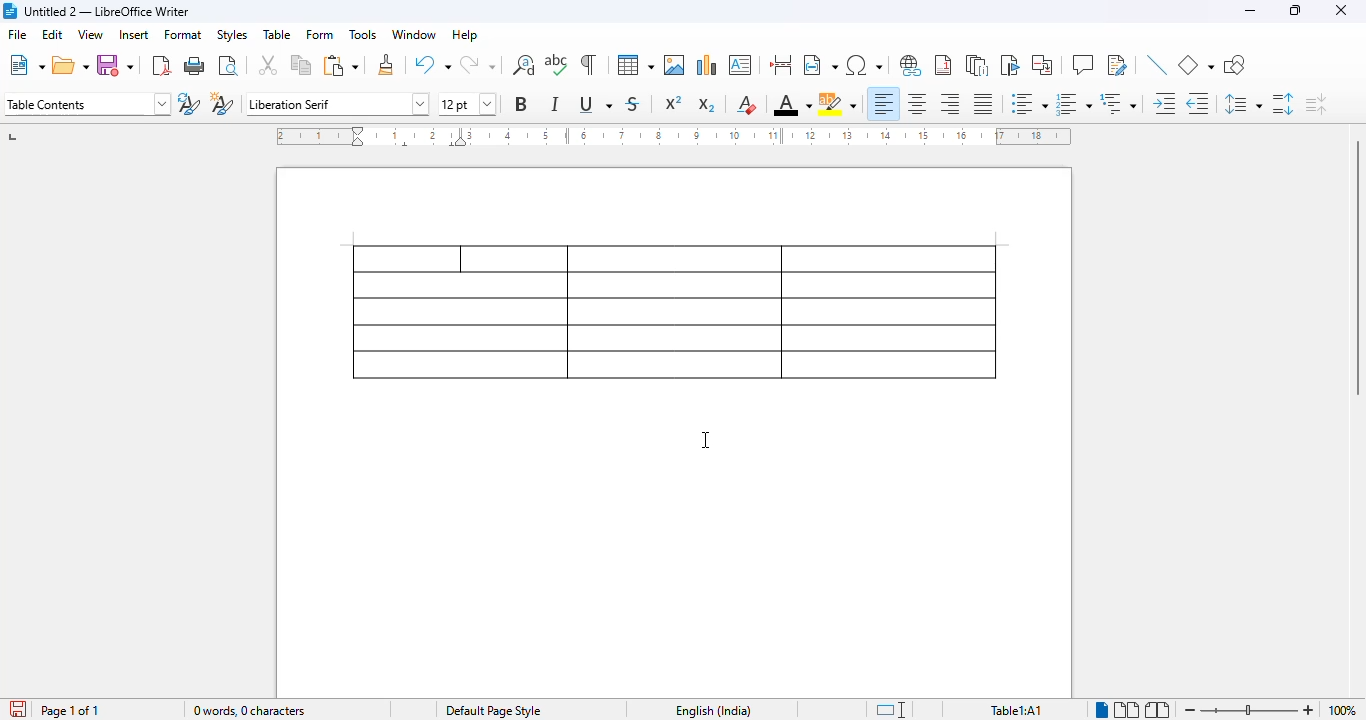  What do you see at coordinates (468, 104) in the screenshot?
I see `font size` at bounding box center [468, 104].